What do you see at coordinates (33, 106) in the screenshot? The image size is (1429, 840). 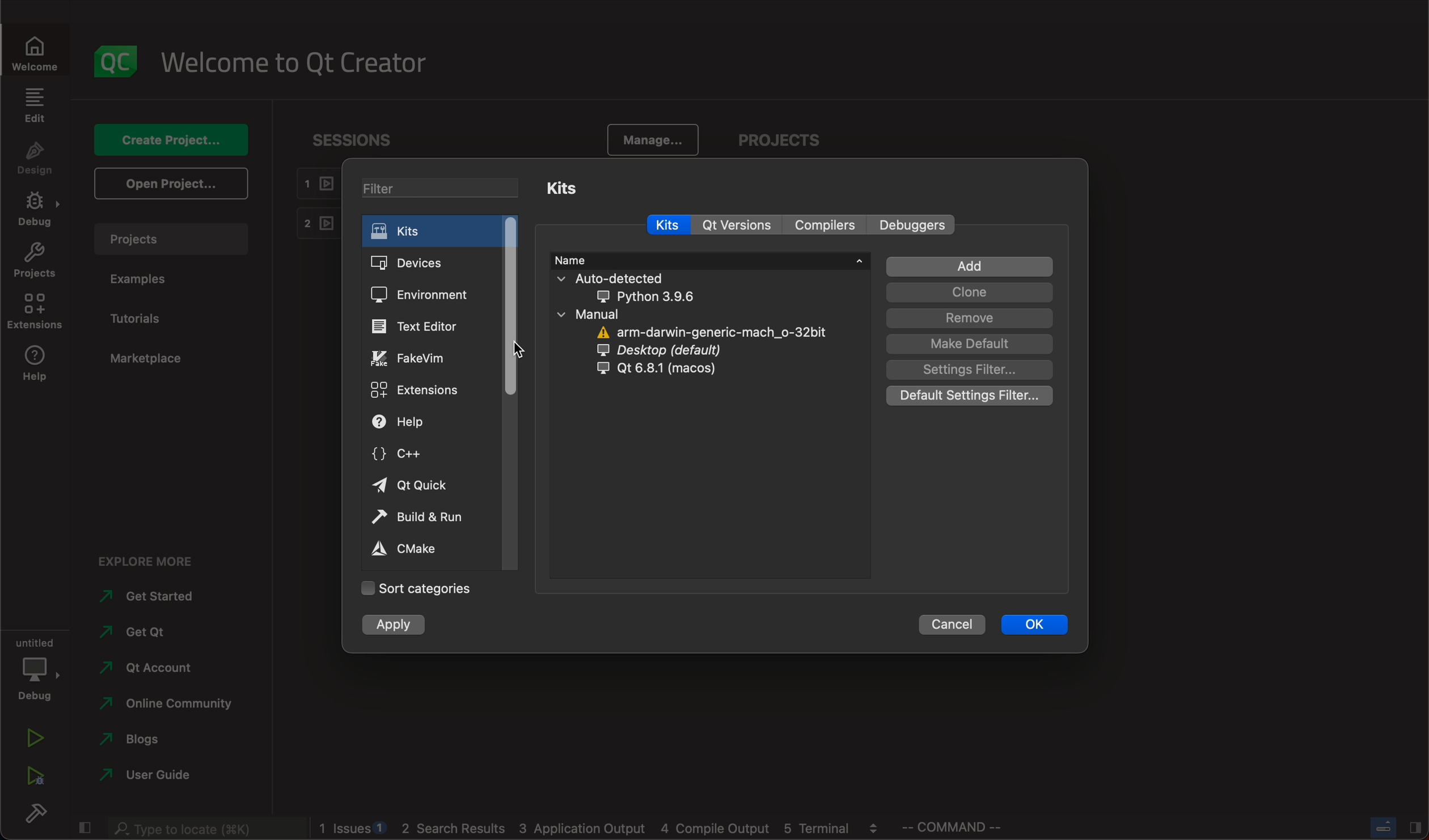 I see `edit` at bounding box center [33, 106].